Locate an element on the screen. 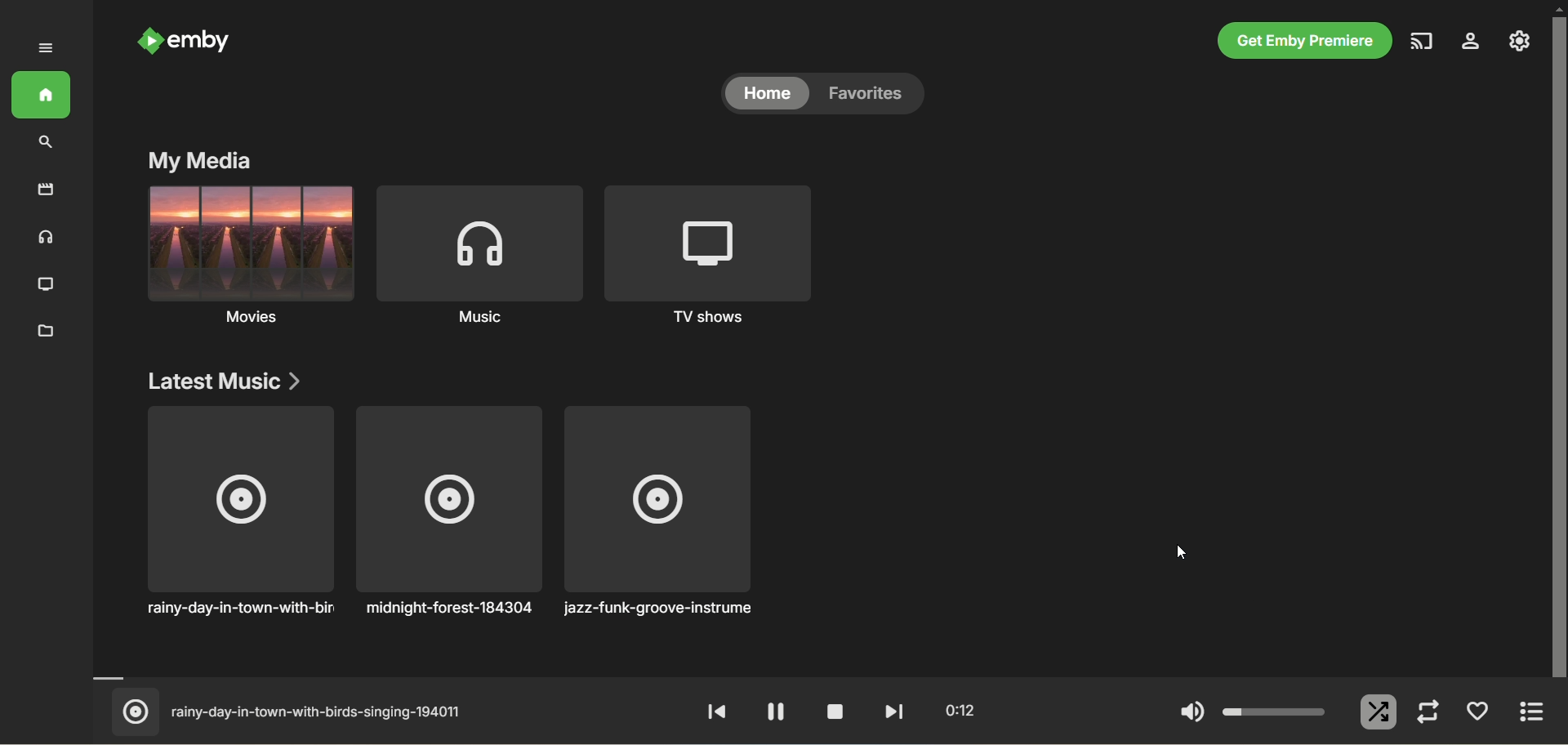 This screenshot has height=745, width=1568. search is located at coordinates (43, 145).